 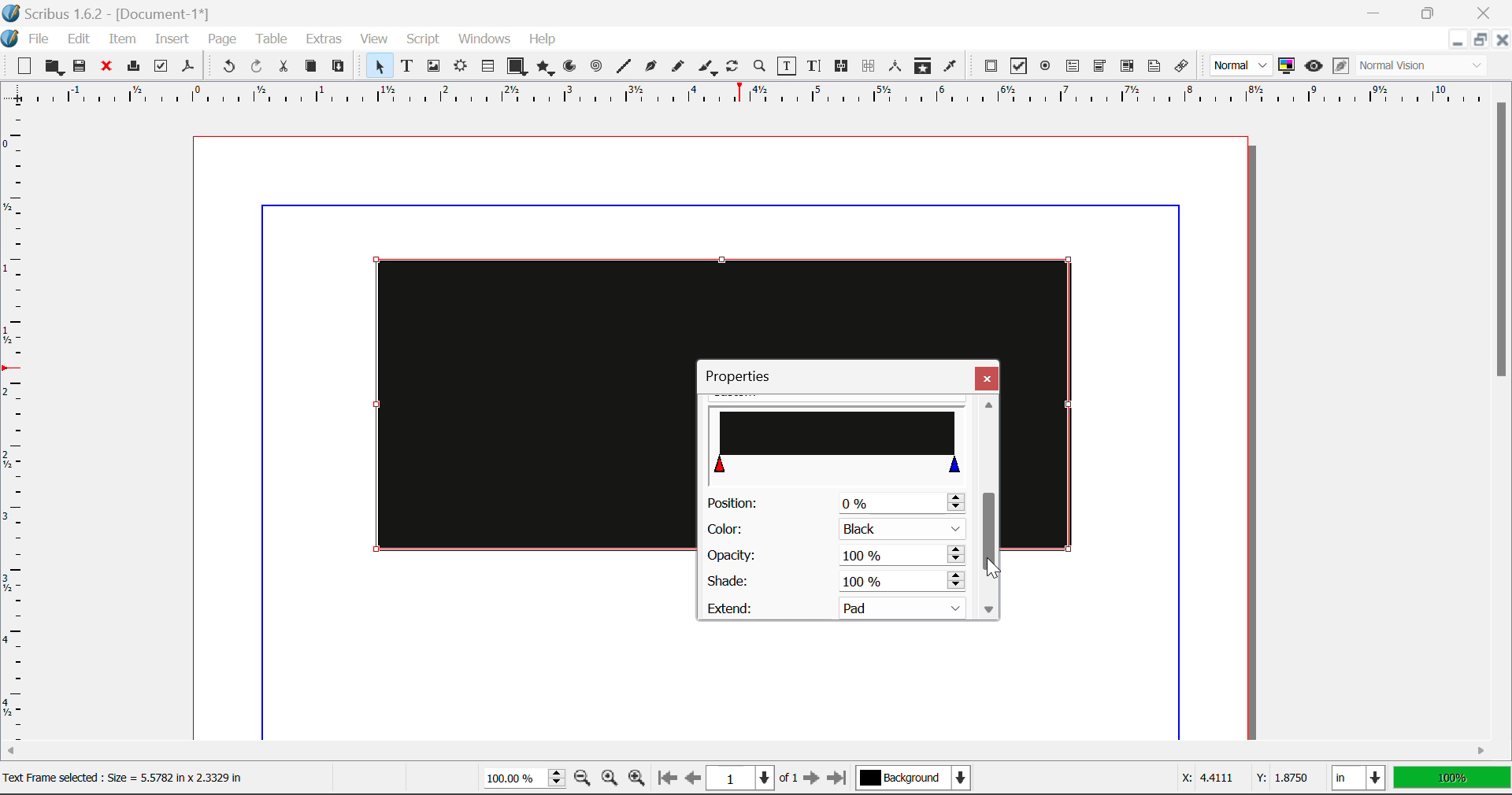 I want to click on Edit Text with Story Editor, so click(x=817, y=66).